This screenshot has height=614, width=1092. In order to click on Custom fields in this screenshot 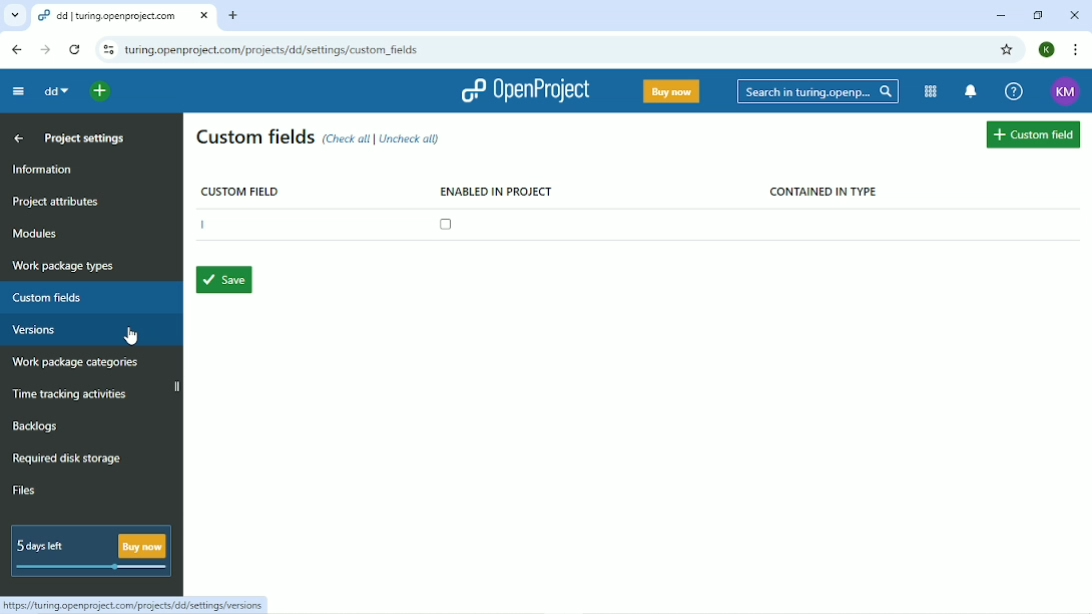, I will do `click(254, 139)`.